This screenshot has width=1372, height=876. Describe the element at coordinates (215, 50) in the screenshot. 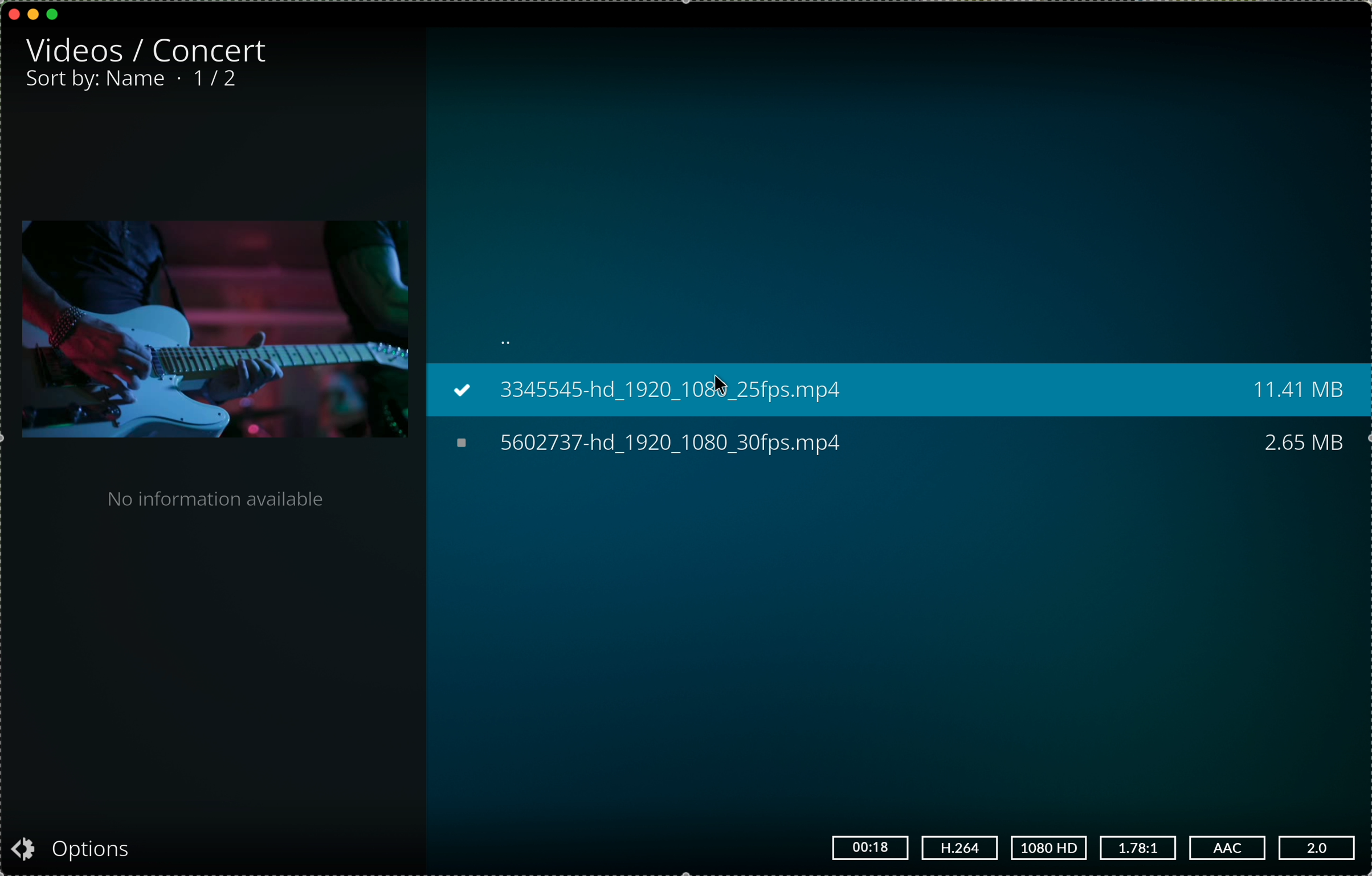

I see `concert` at that location.